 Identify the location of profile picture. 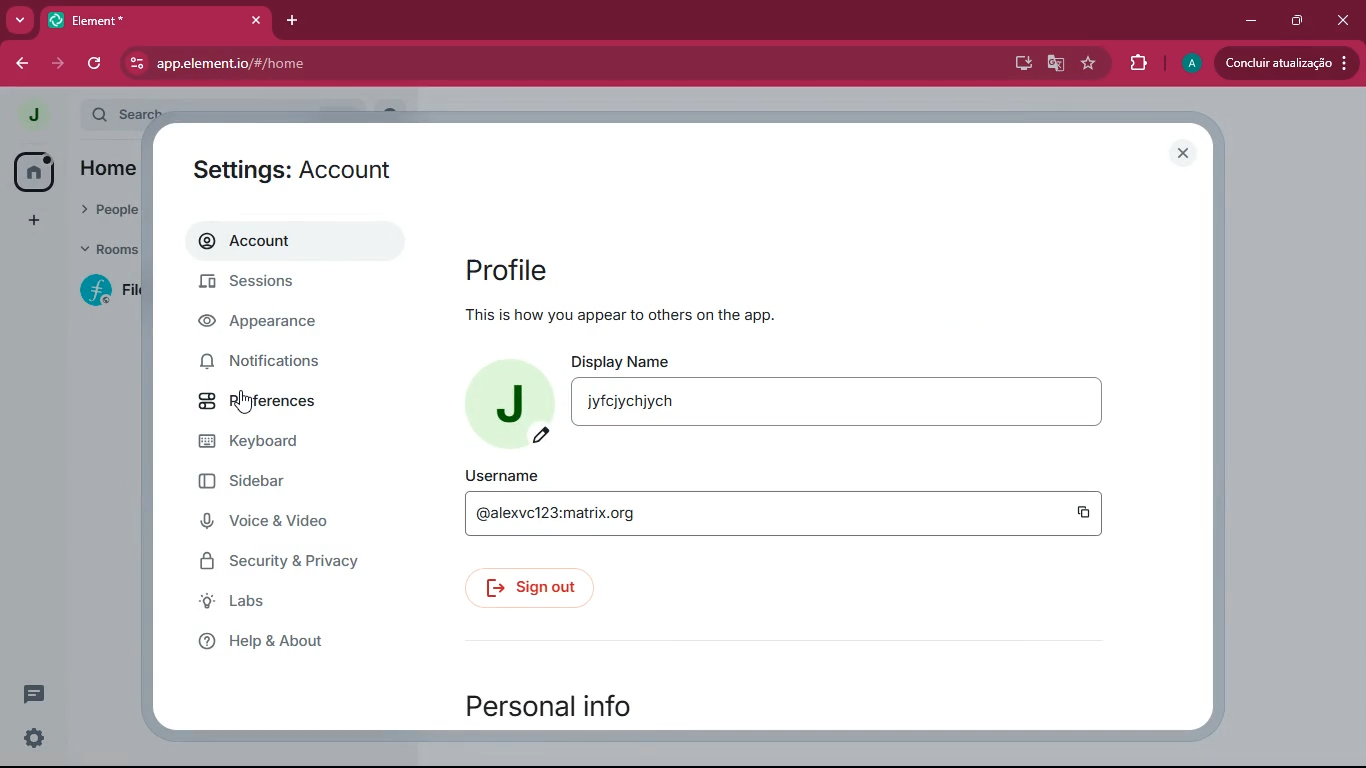
(33, 114).